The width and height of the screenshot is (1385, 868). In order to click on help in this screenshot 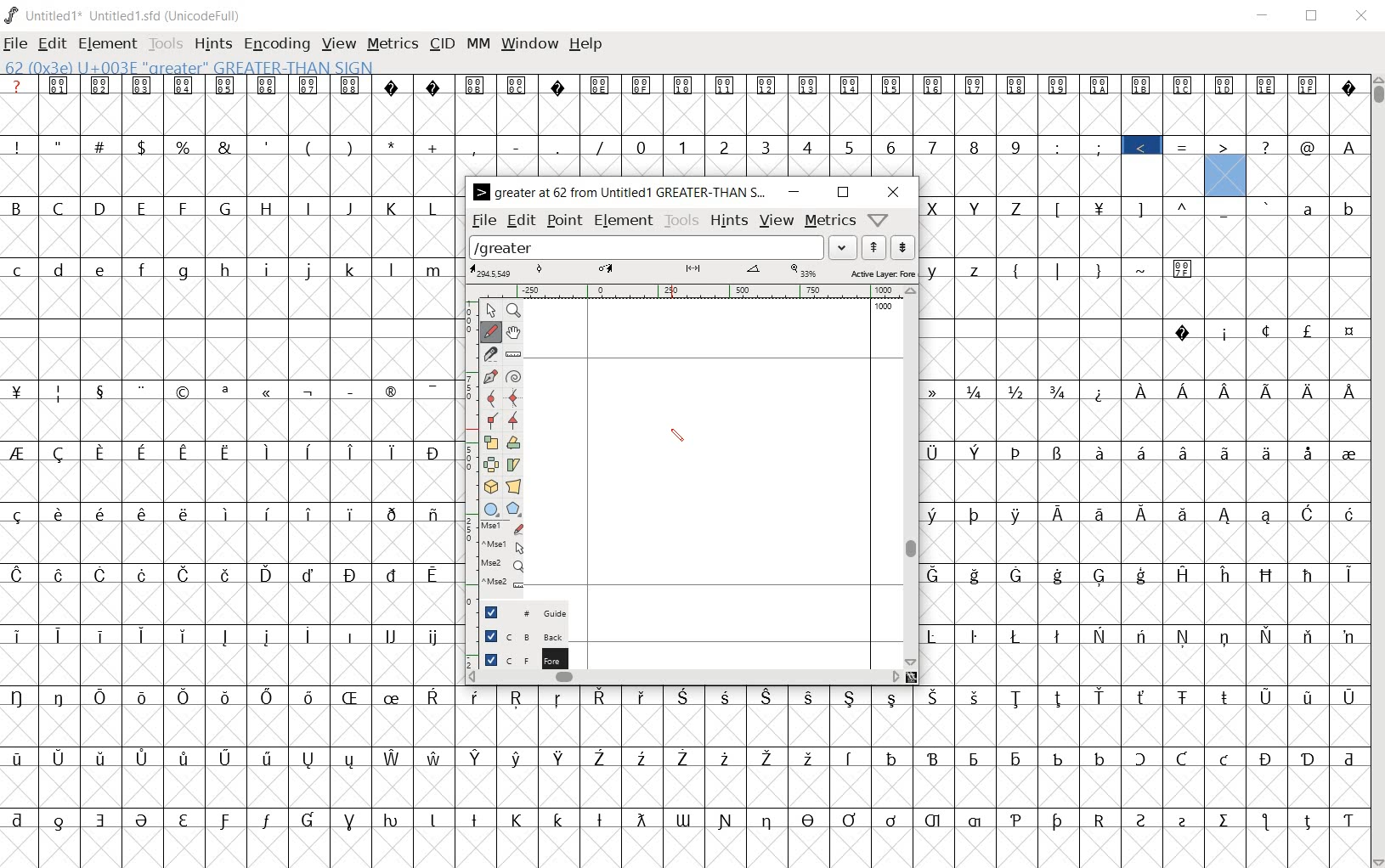, I will do `click(585, 44)`.